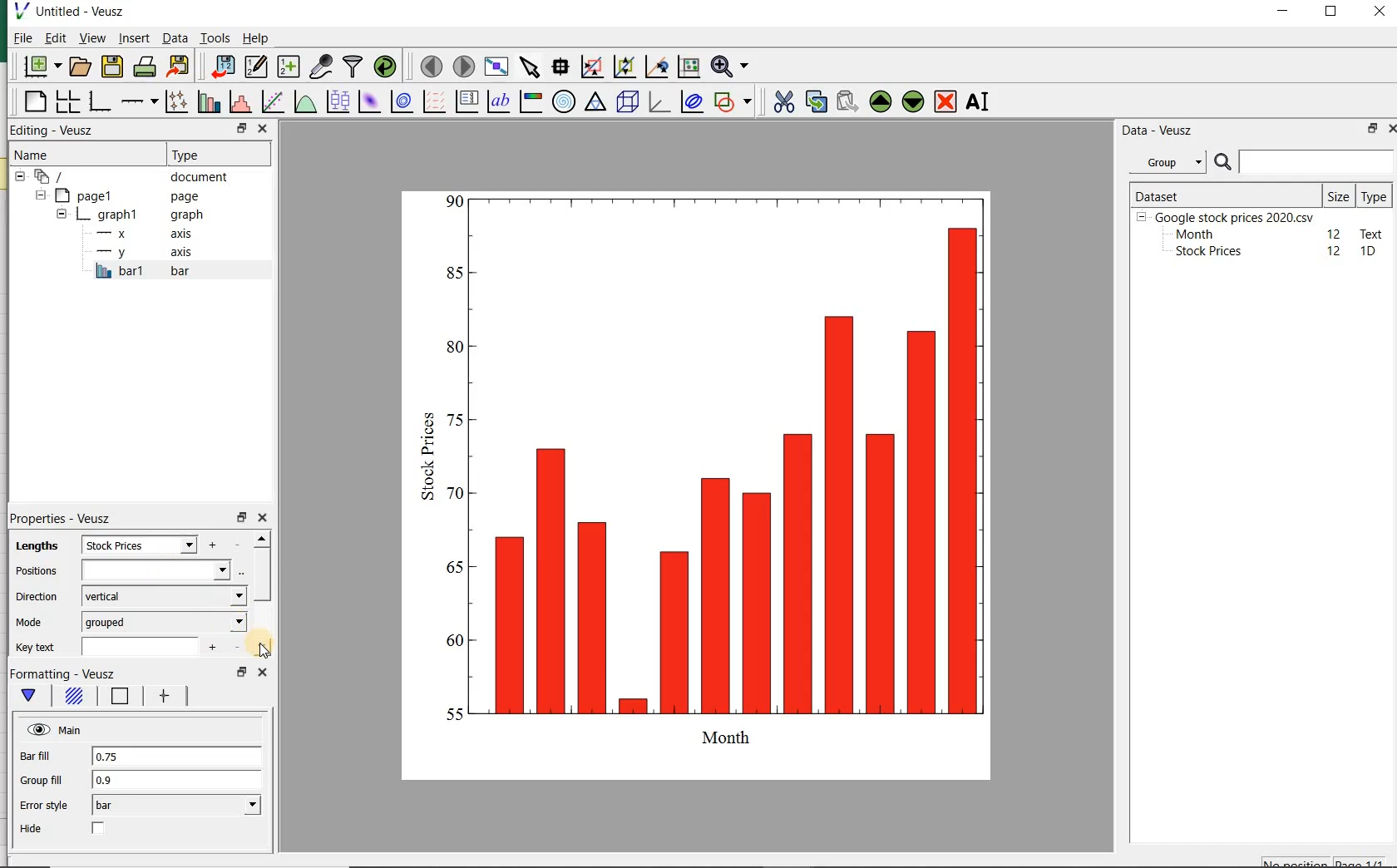  What do you see at coordinates (164, 597) in the screenshot?
I see `vertical` at bounding box center [164, 597].